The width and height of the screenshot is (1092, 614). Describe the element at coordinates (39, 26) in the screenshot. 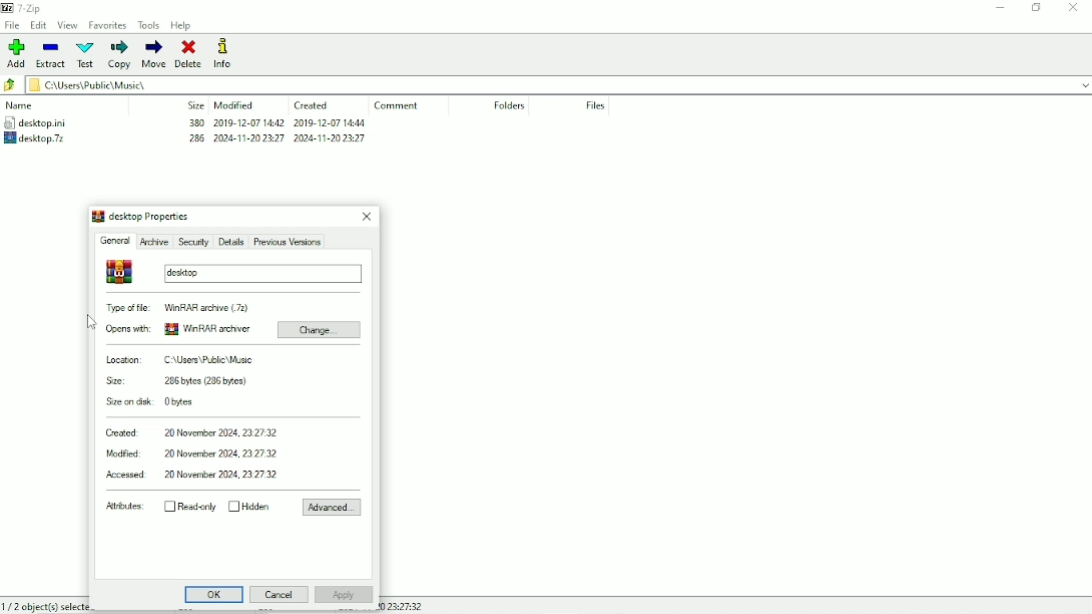

I see `Edit` at that location.